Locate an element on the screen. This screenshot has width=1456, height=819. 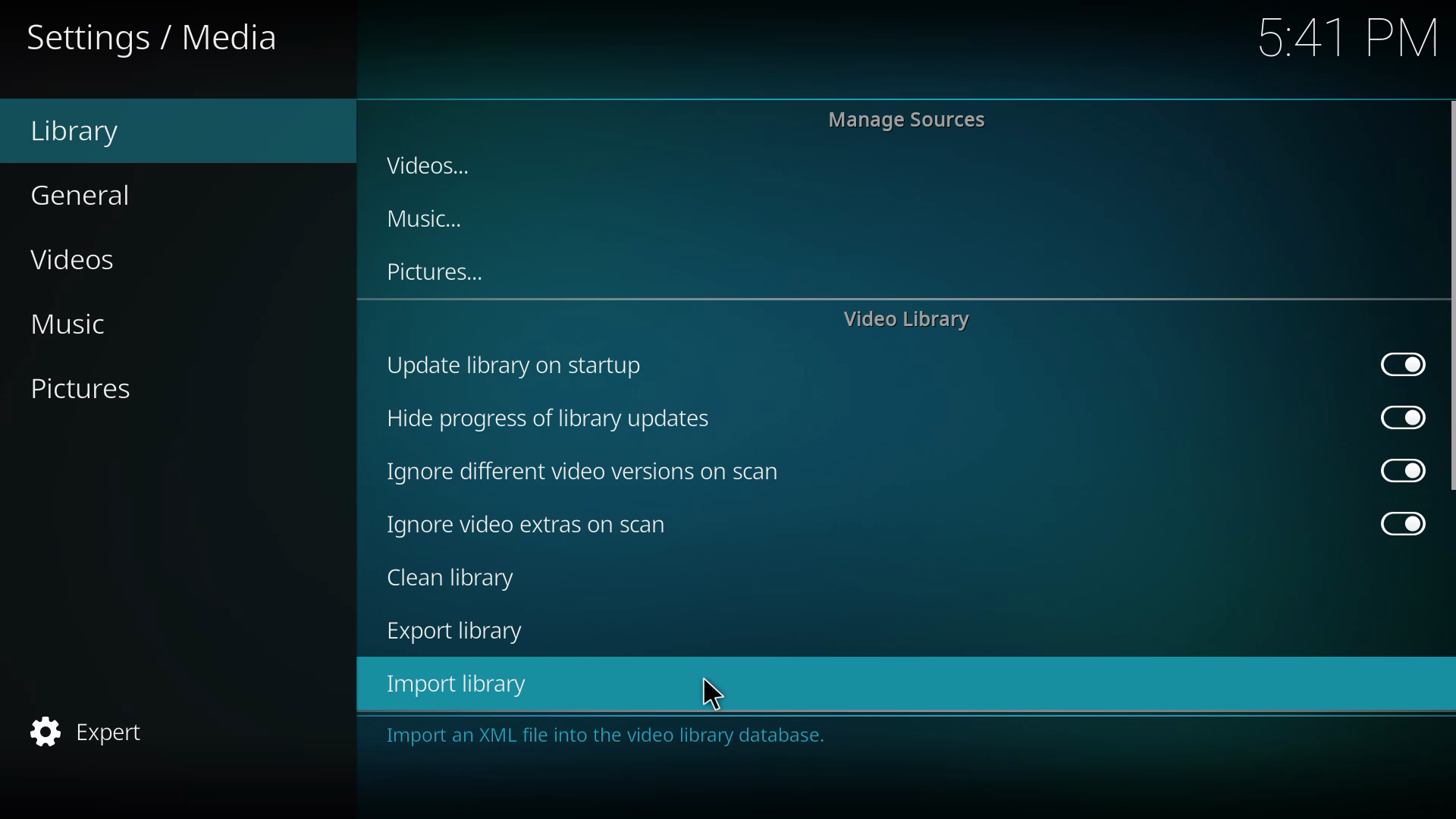
cursor is located at coordinates (711, 697).